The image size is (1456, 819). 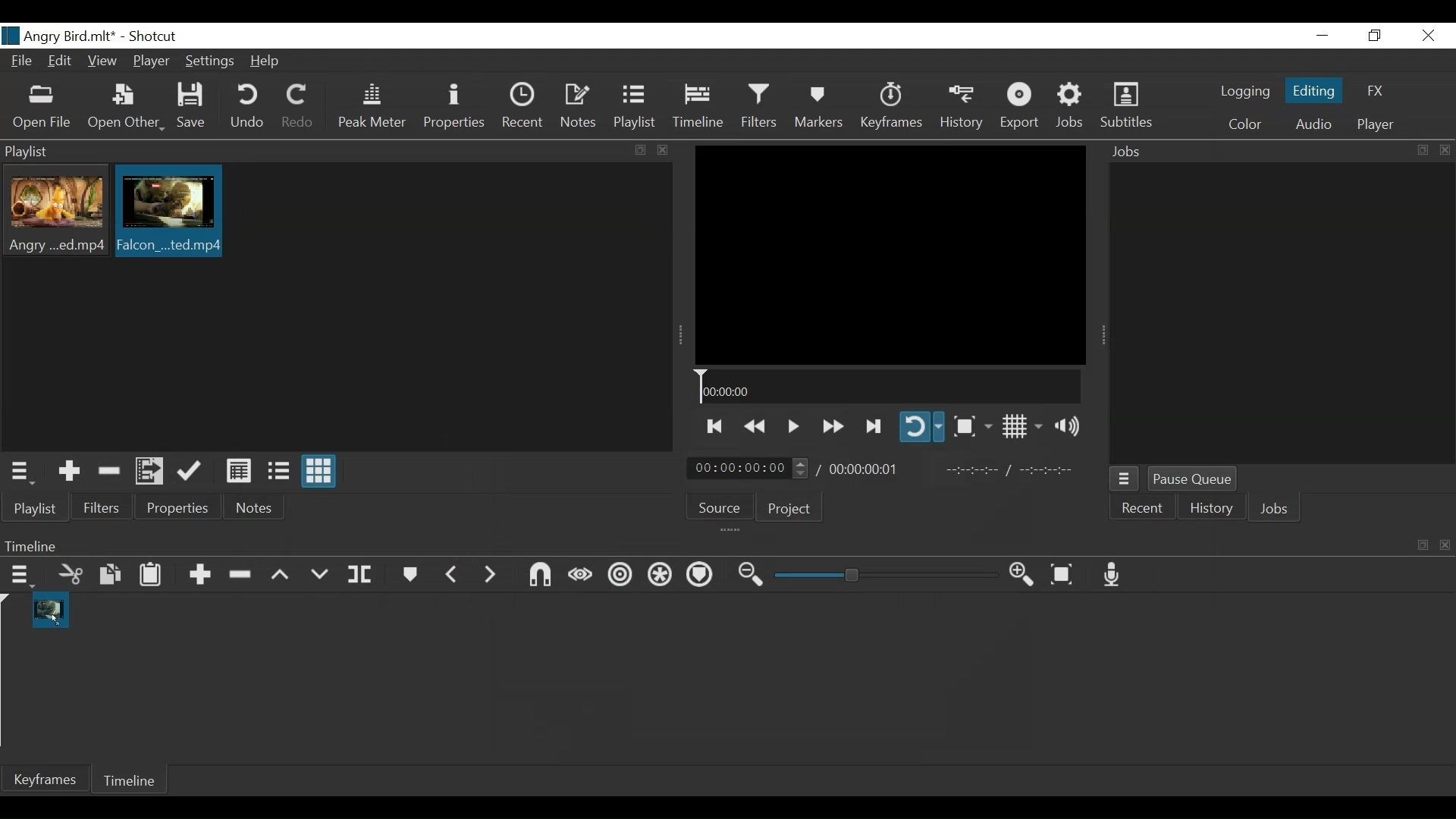 What do you see at coordinates (199, 577) in the screenshot?
I see `Append` at bounding box center [199, 577].